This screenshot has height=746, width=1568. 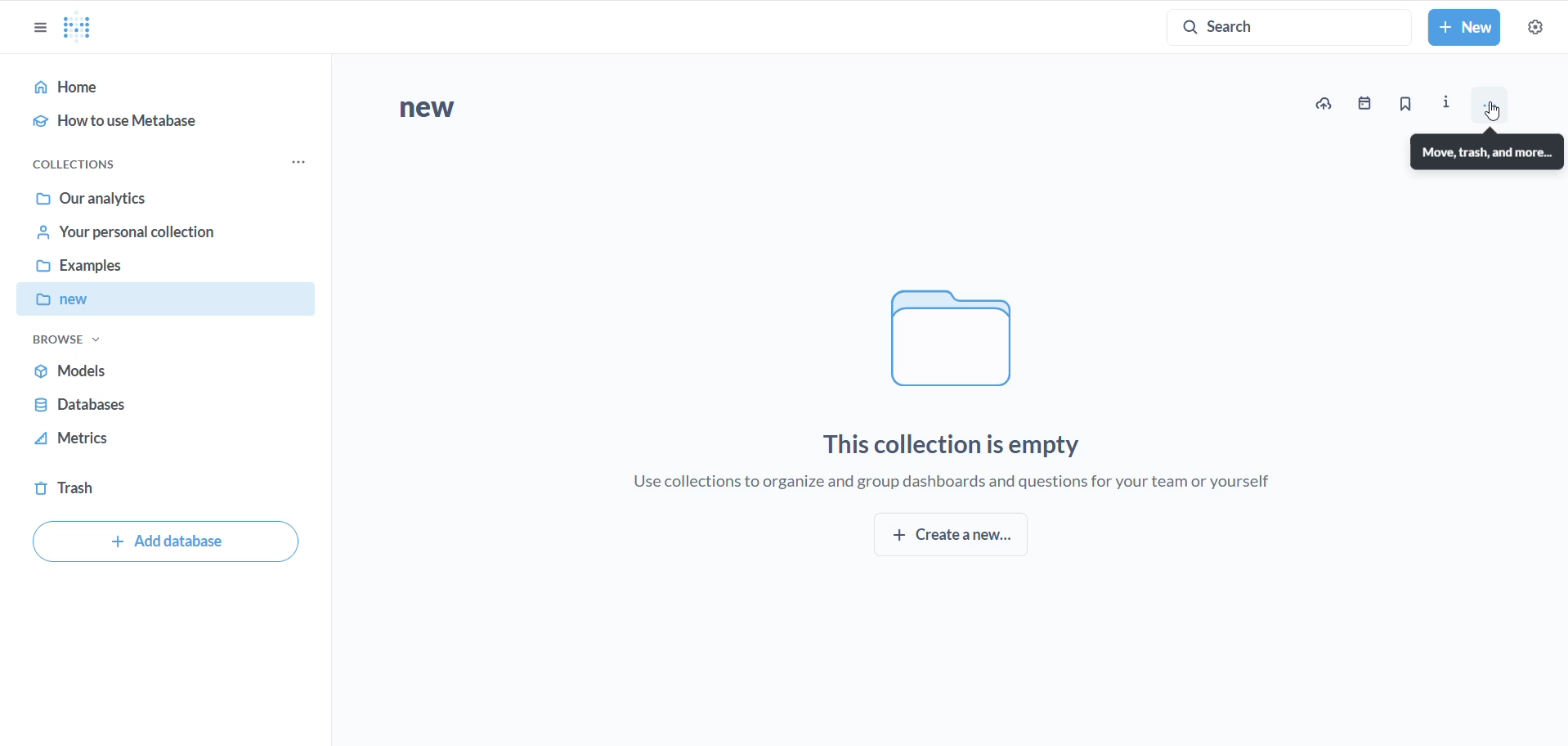 What do you see at coordinates (151, 237) in the screenshot?
I see `your personal collection` at bounding box center [151, 237].